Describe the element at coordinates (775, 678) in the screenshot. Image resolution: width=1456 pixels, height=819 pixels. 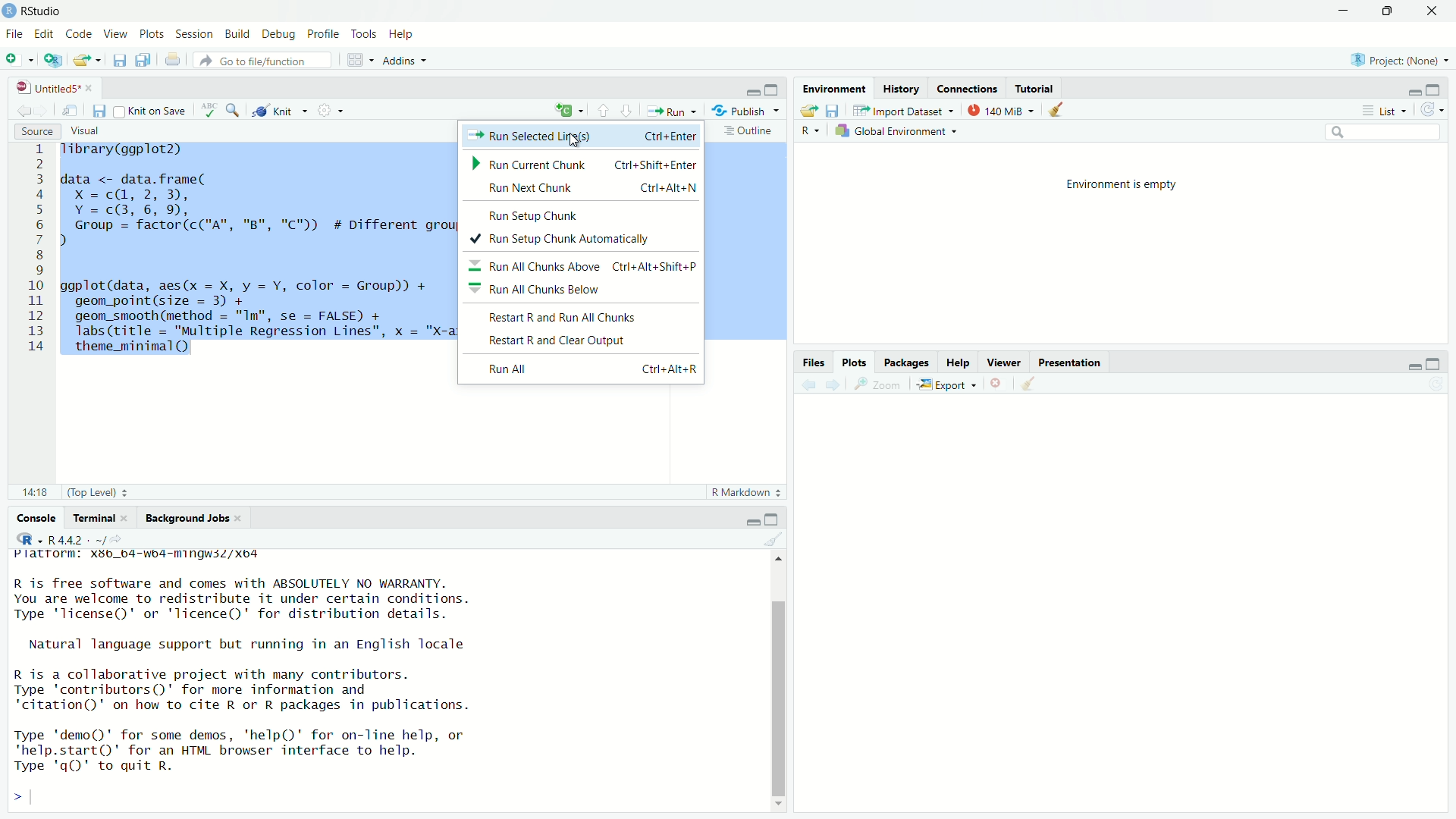
I see `scroll bar` at that location.